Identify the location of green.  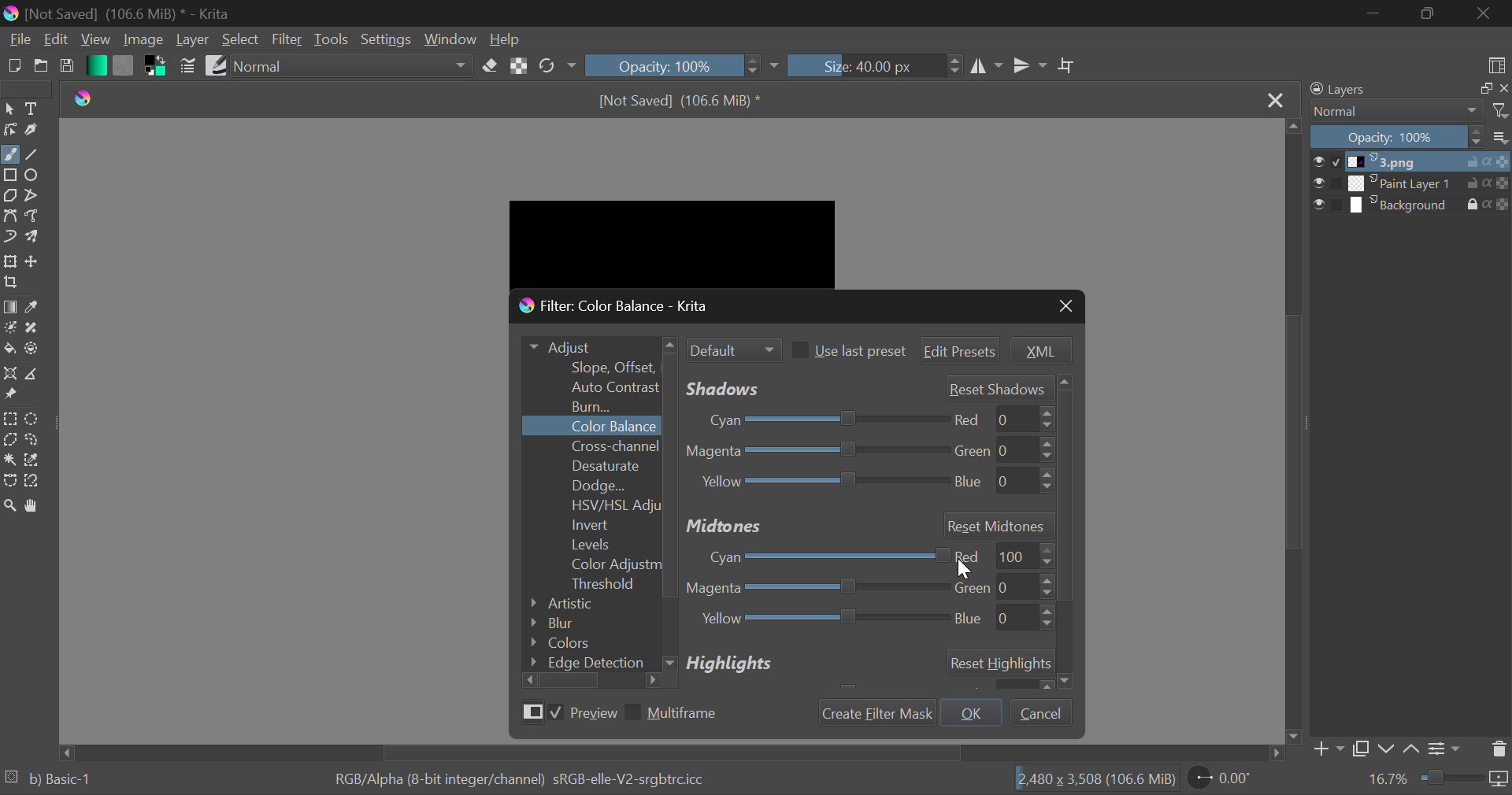
(1004, 449).